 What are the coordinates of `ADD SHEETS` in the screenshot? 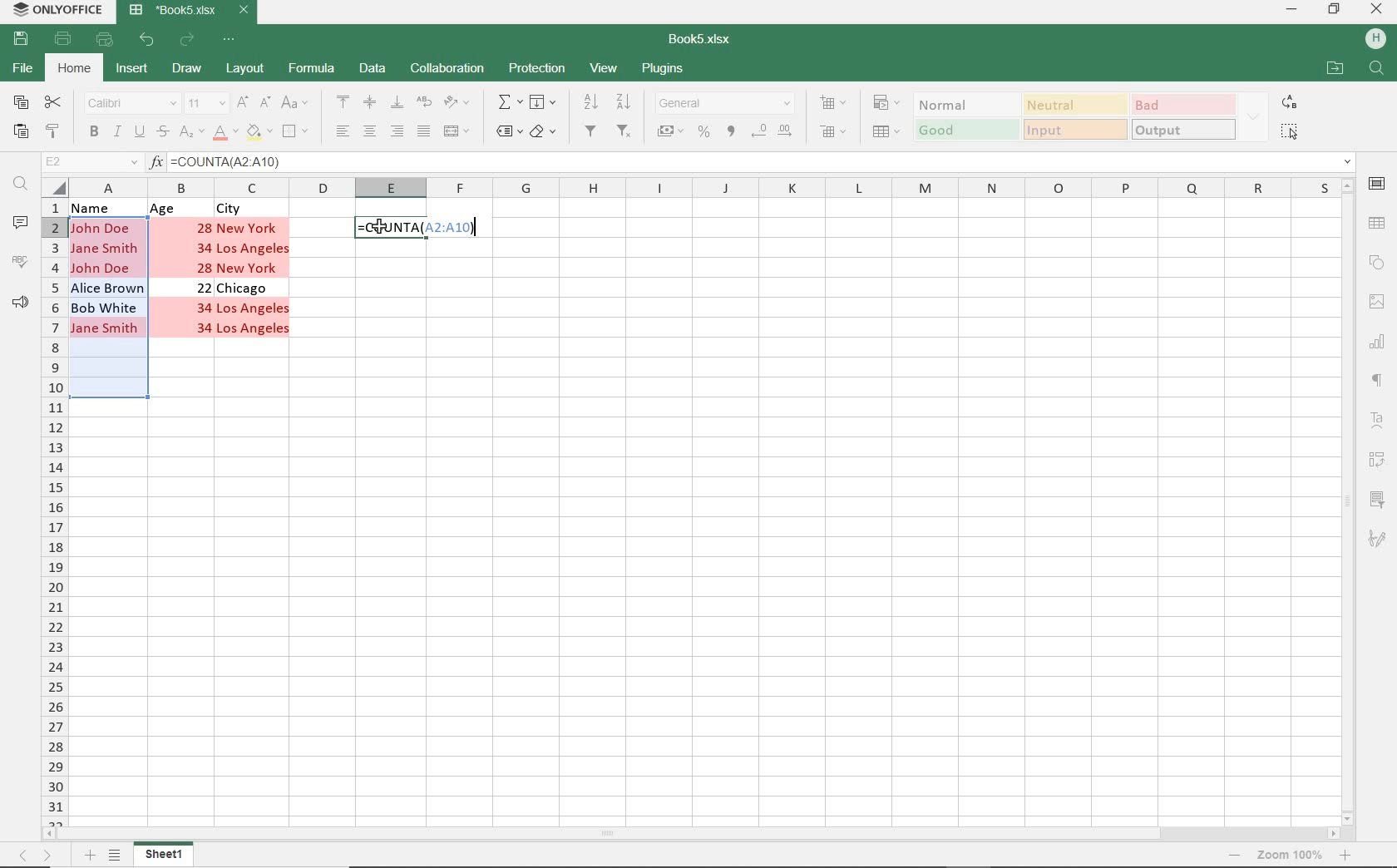 It's located at (90, 856).